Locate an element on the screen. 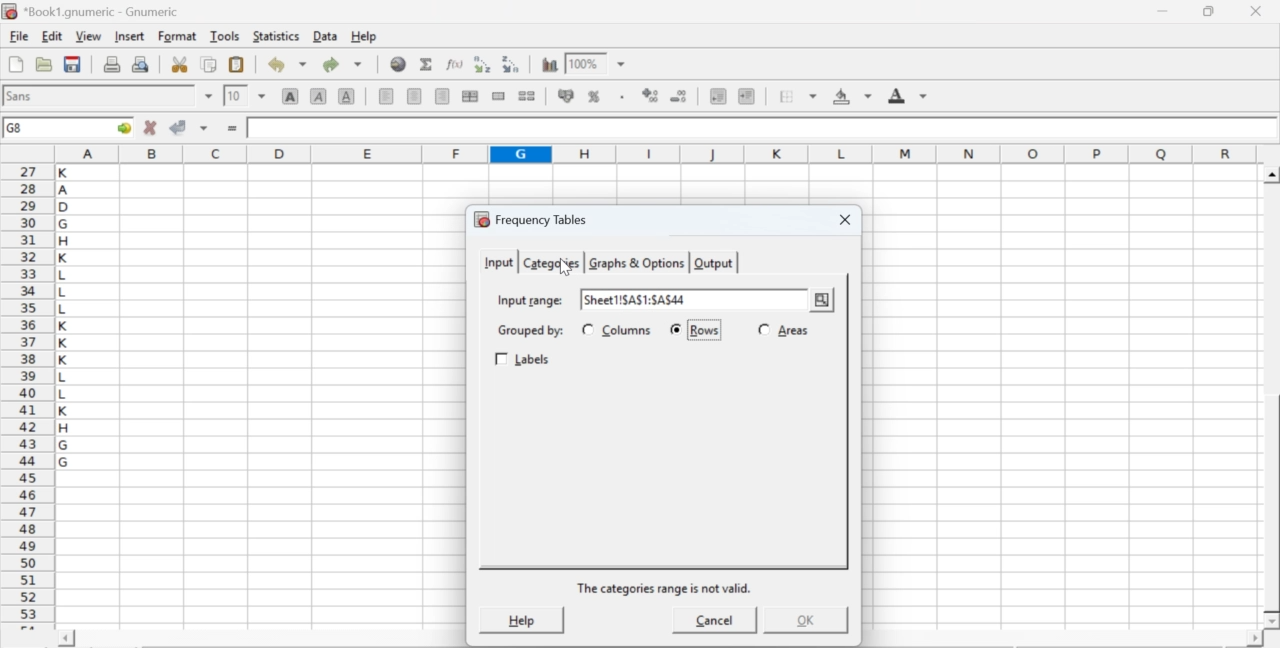 This screenshot has height=648, width=1280. input range: is located at coordinates (529, 299).